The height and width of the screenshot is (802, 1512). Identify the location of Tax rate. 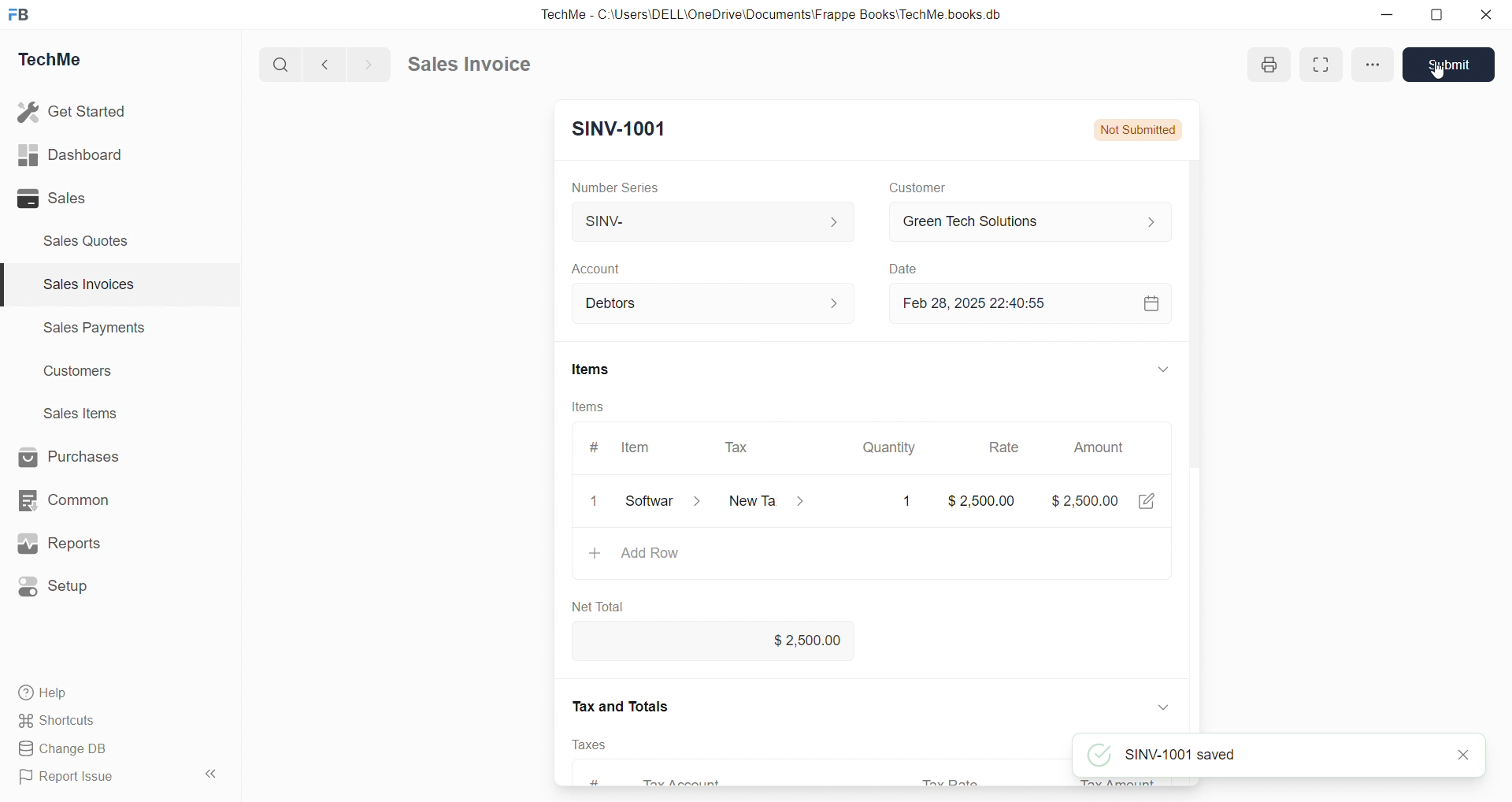
(962, 782).